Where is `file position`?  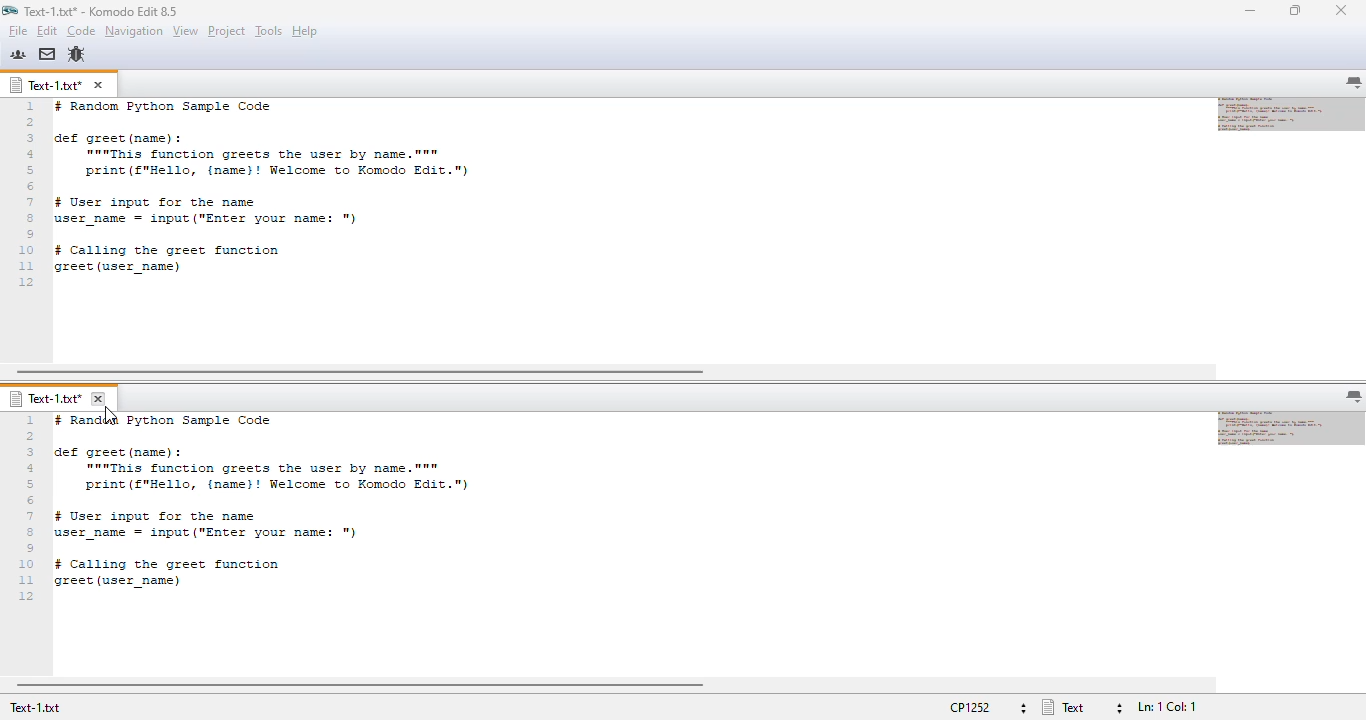
file position is located at coordinates (1169, 707).